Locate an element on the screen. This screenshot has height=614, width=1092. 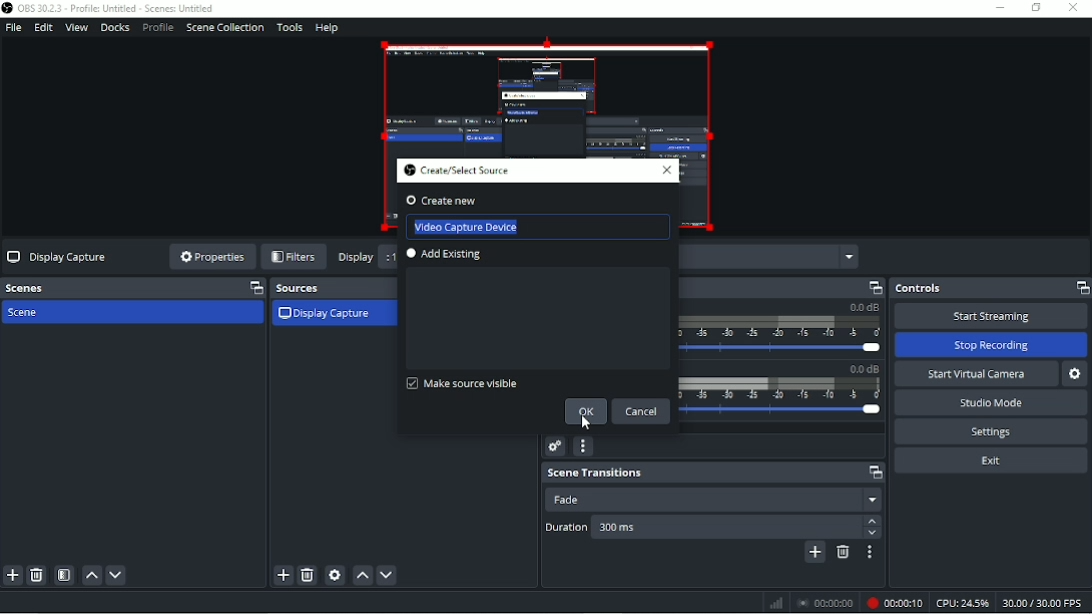
Display capture is located at coordinates (327, 314).